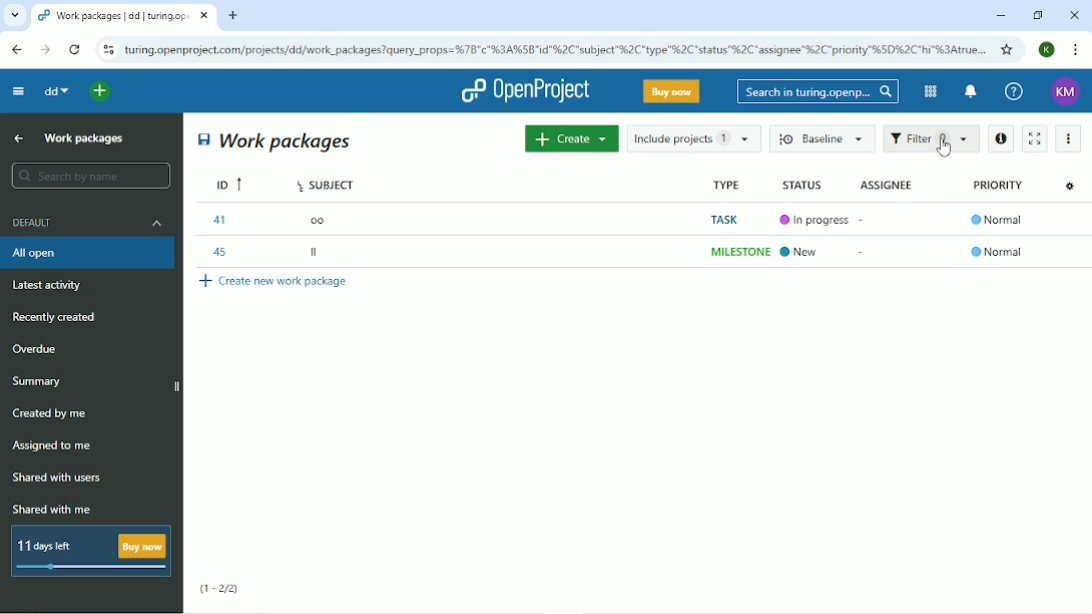 The width and height of the screenshot is (1092, 614). I want to click on Subject, so click(325, 184).